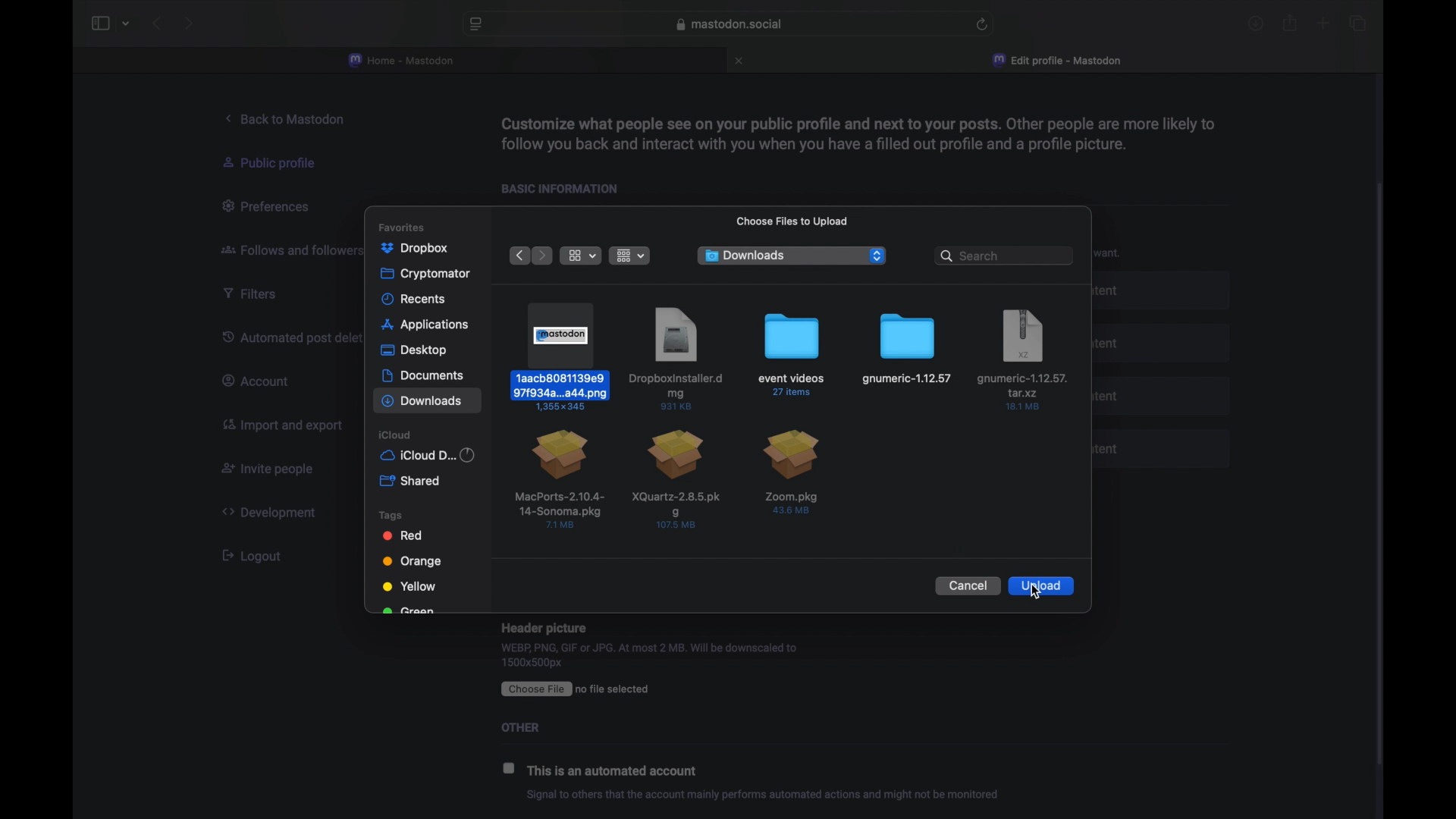 The image size is (1456, 819). What do you see at coordinates (413, 560) in the screenshot?
I see `Orange` at bounding box center [413, 560].